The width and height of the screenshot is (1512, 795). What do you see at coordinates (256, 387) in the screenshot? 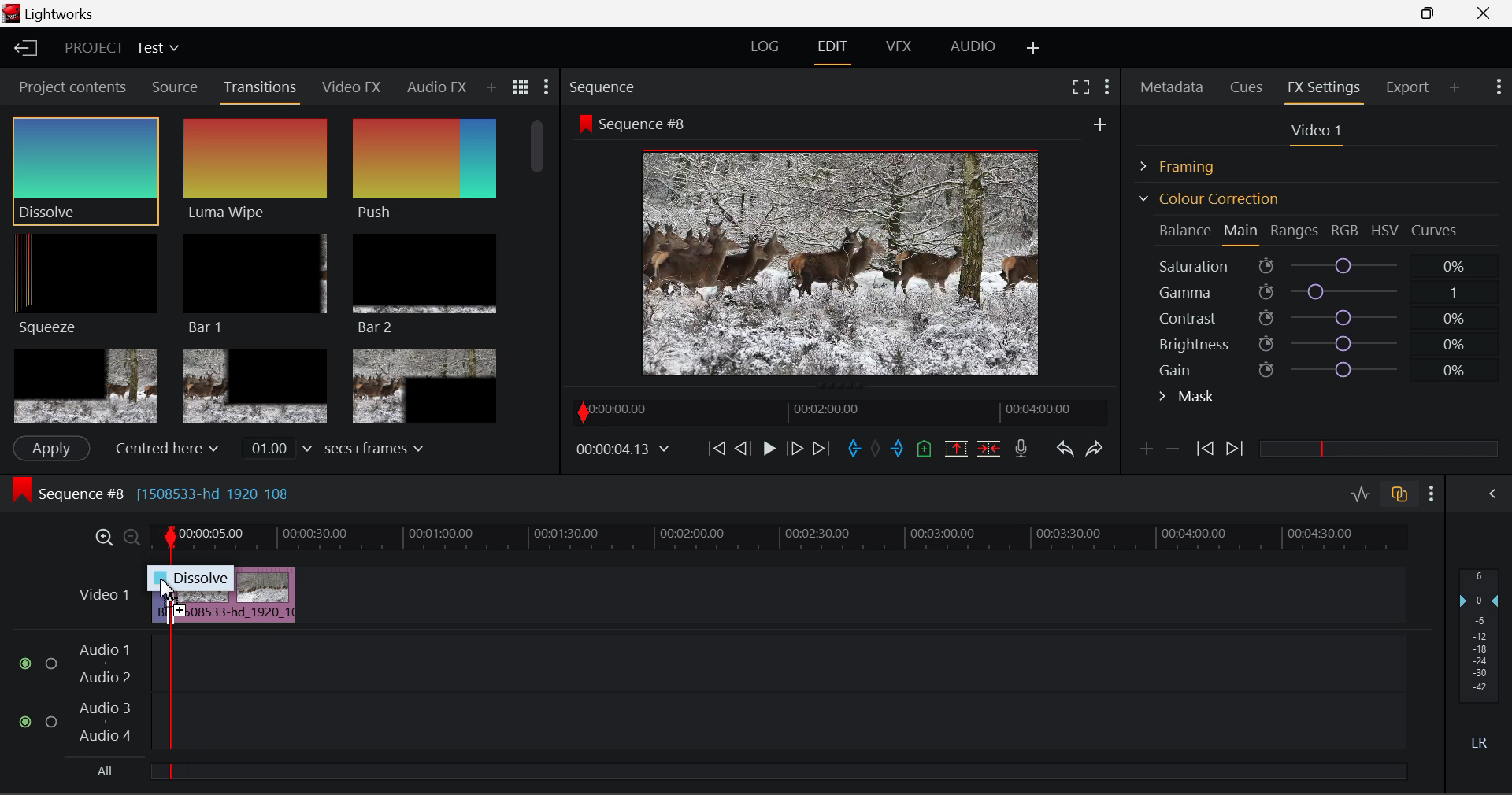
I see `Box 2` at bounding box center [256, 387].